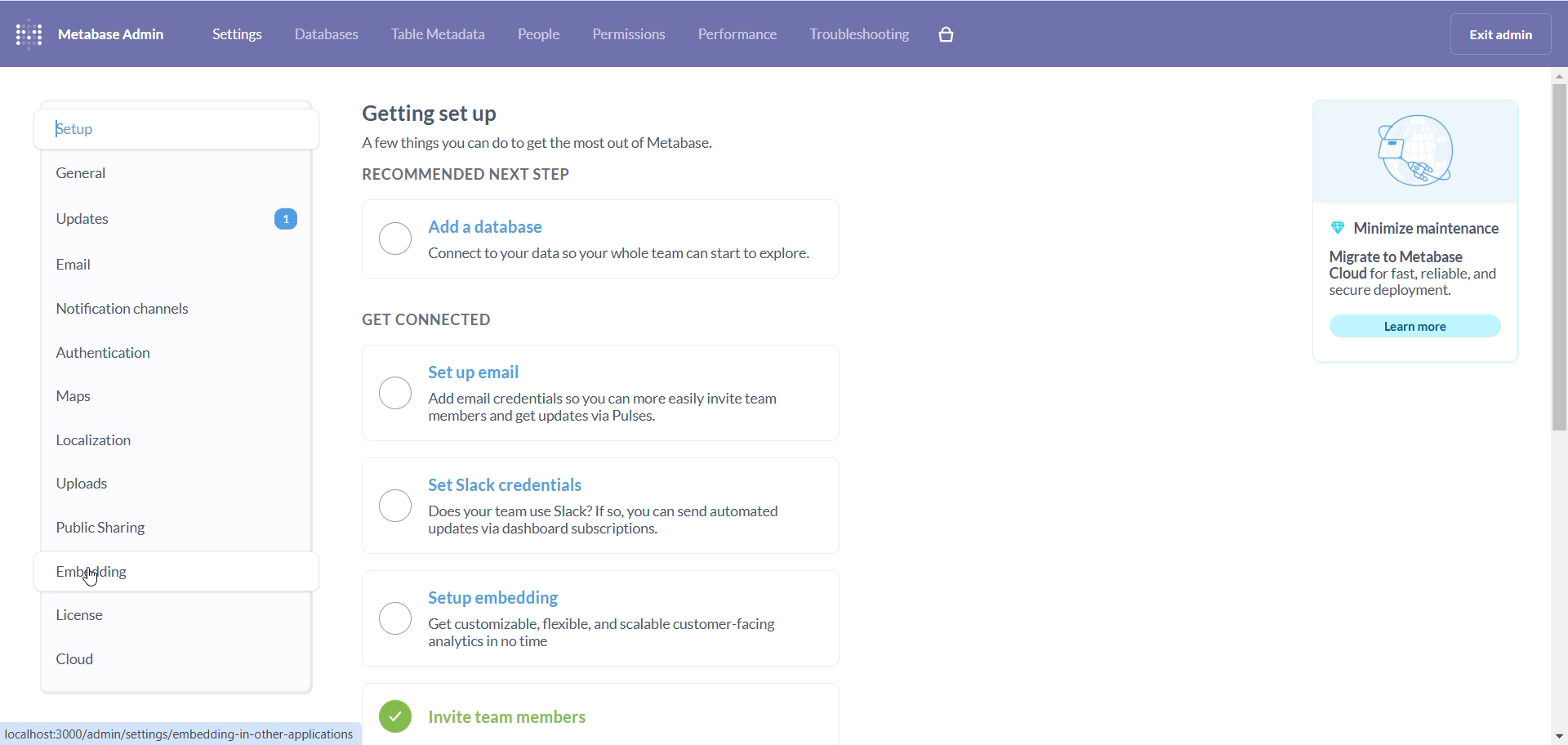 The width and height of the screenshot is (1568, 745). What do you see at coordinates (433, 319) in the screenshot?
I see `get connected` at bounding box center [433, 319].